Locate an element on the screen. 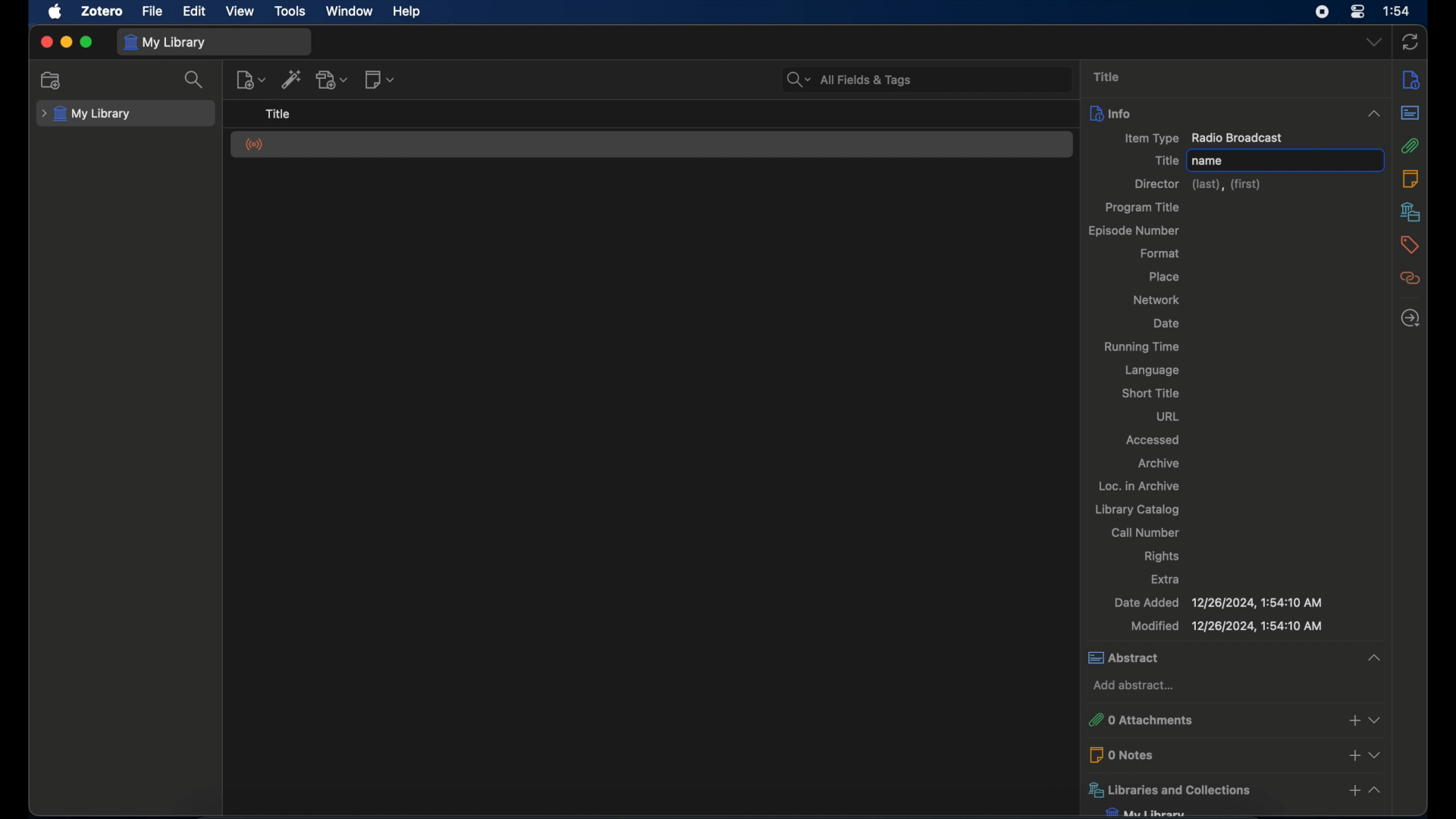 The image size is (1456, 819). url is located at coordinates (1169, 416).